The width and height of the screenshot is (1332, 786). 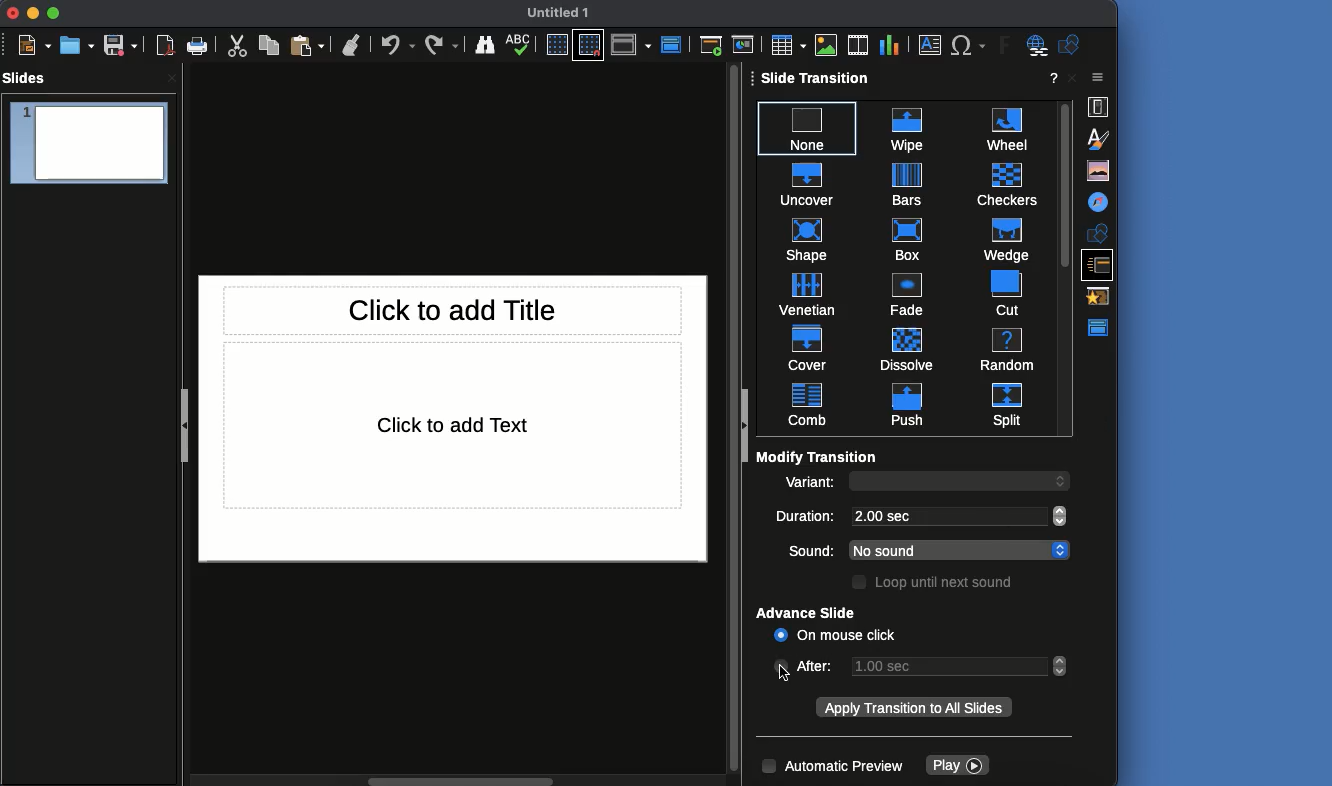 What do you see at coordinates (810, 485) in the screenshot?
I see `Variant` at bounding box center [810, 485].